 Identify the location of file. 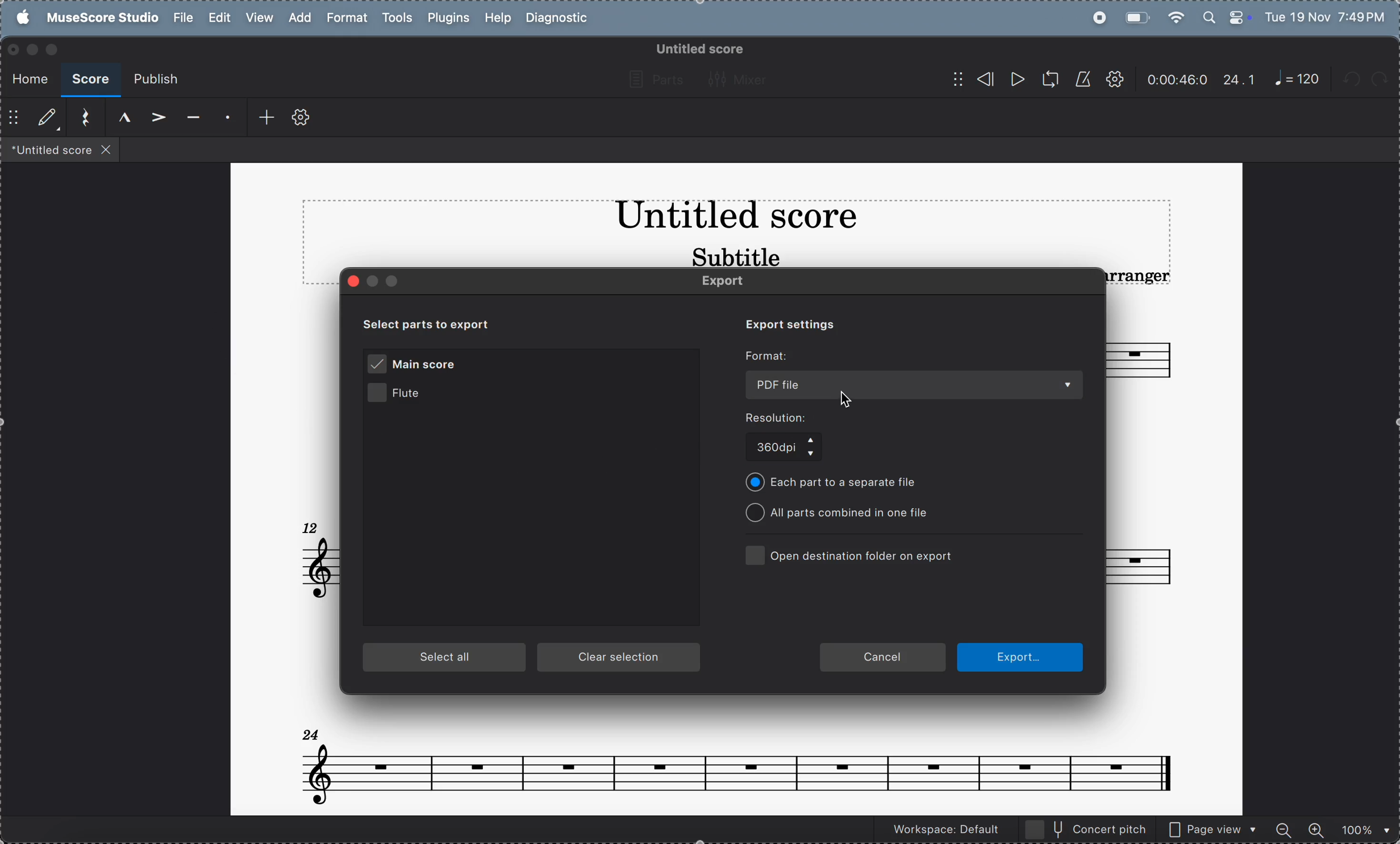
(183, 18).